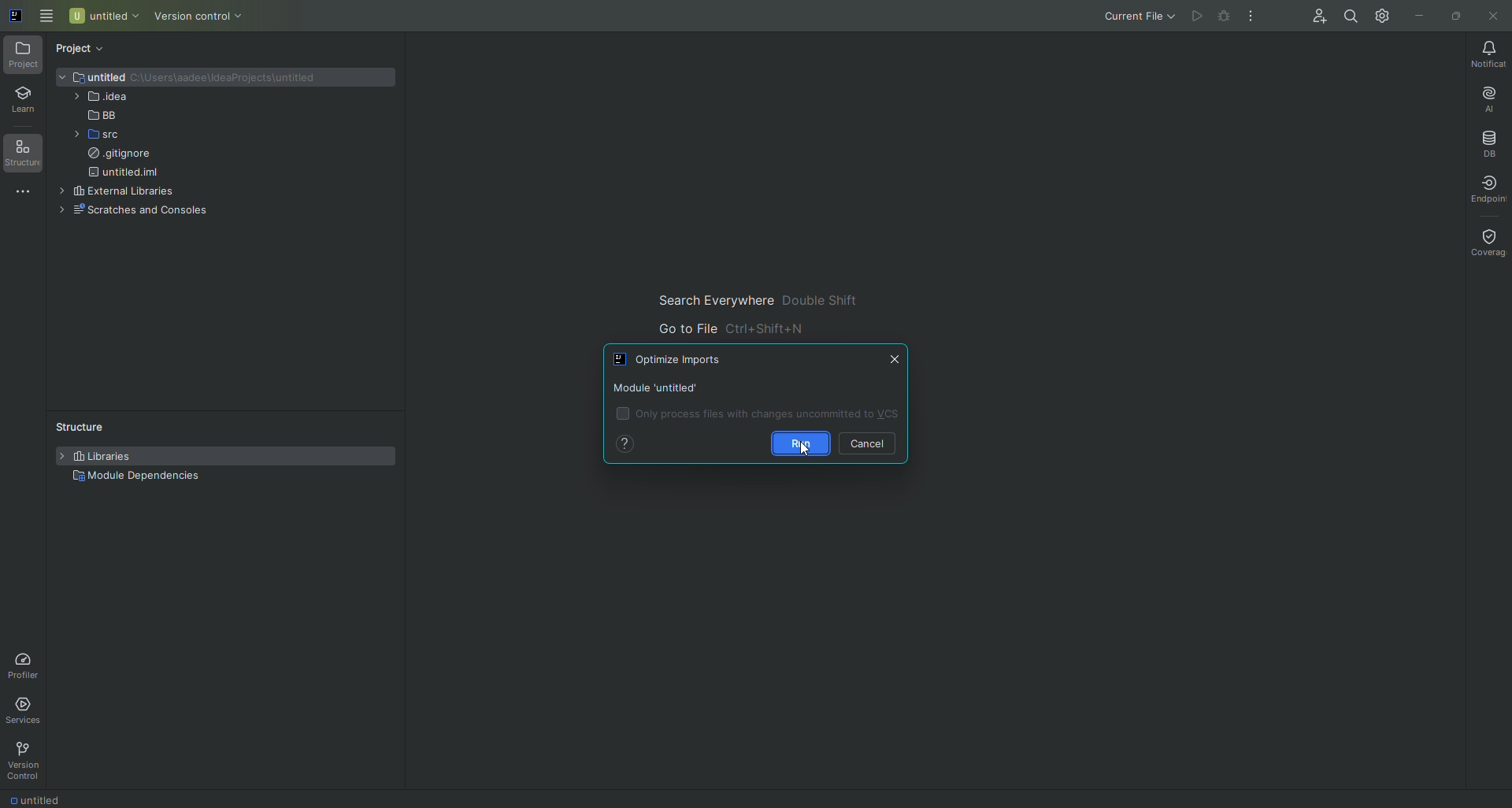 The width and height of the screenshot is (1512, 808). I want to click on More Tools, so click(20, 197).